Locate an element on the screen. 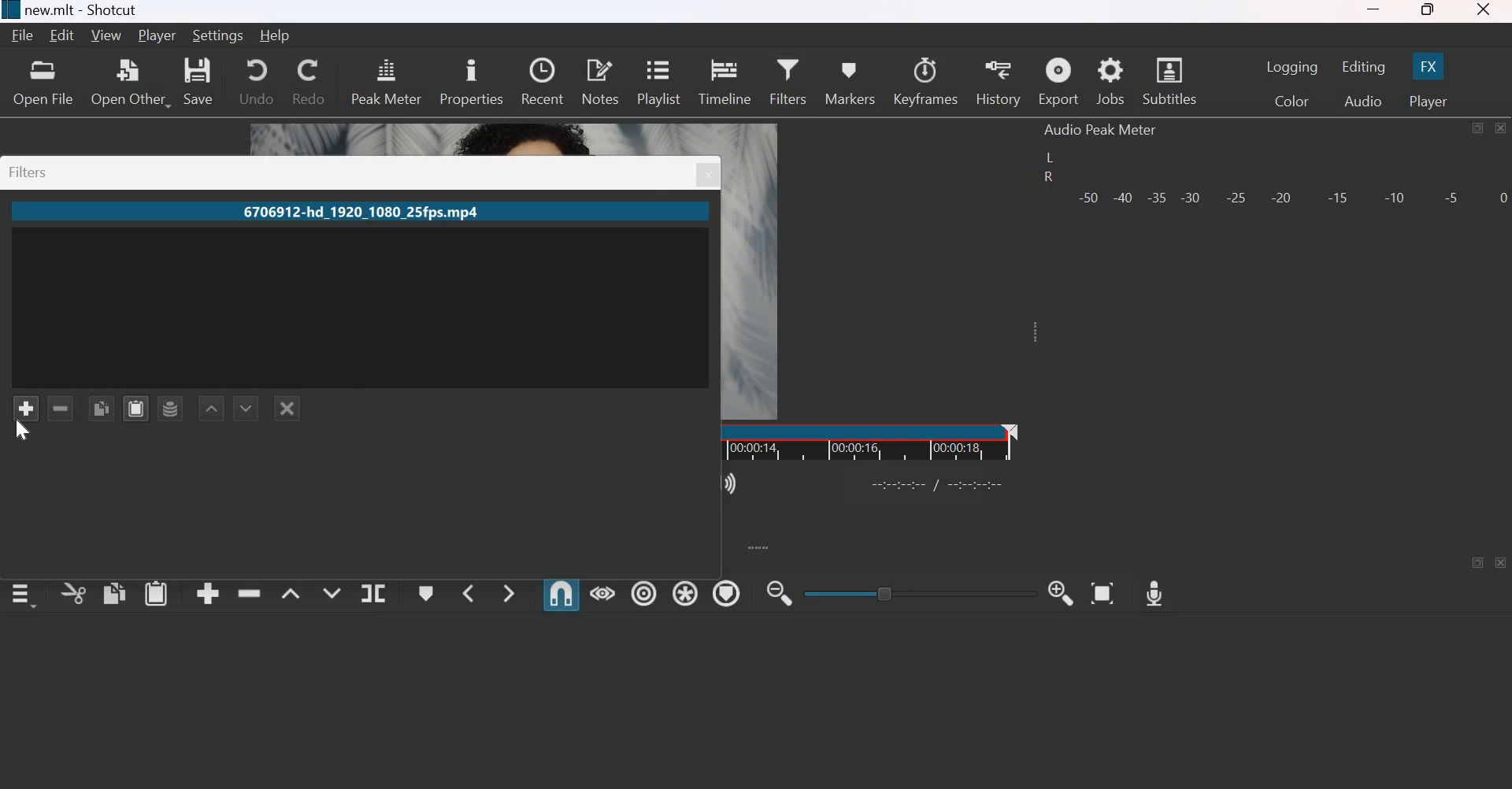 The height and width of the screenshot is (789, 1512). copy is located at coordinates (115, 592).